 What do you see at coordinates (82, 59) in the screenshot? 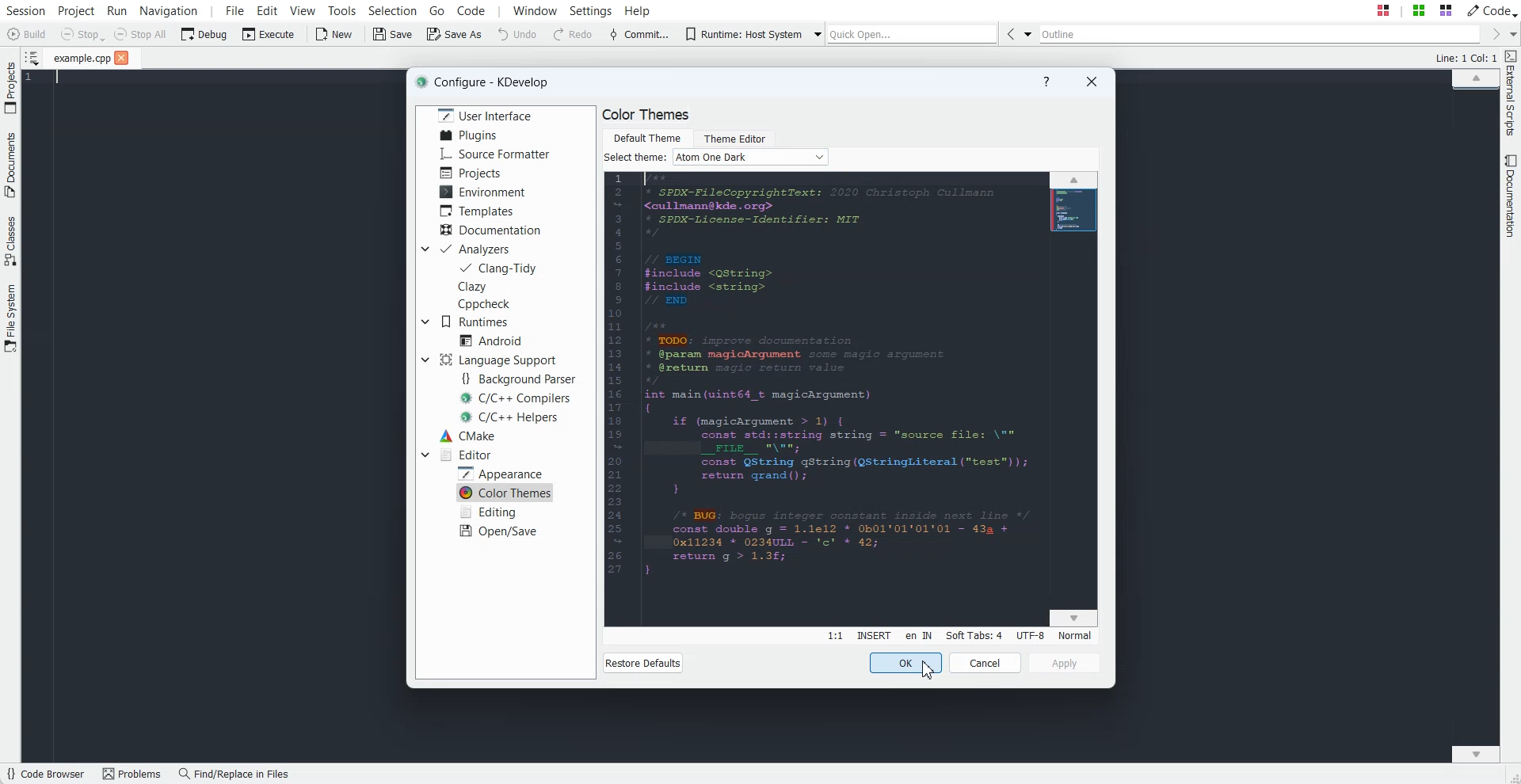
I see `File` at bounding box center [82, 59].